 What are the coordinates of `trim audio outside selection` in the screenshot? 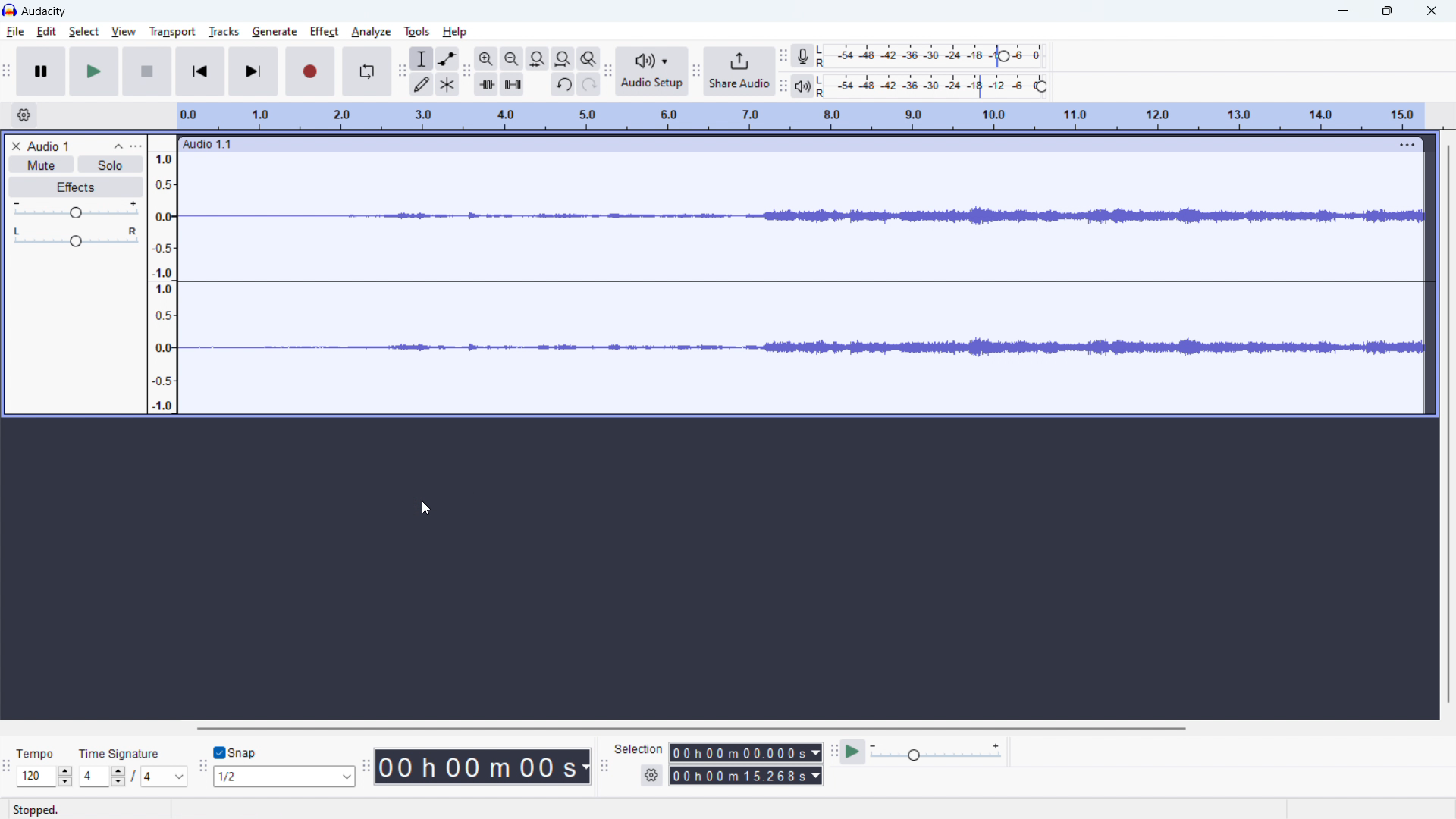 It's located at (485, 83).